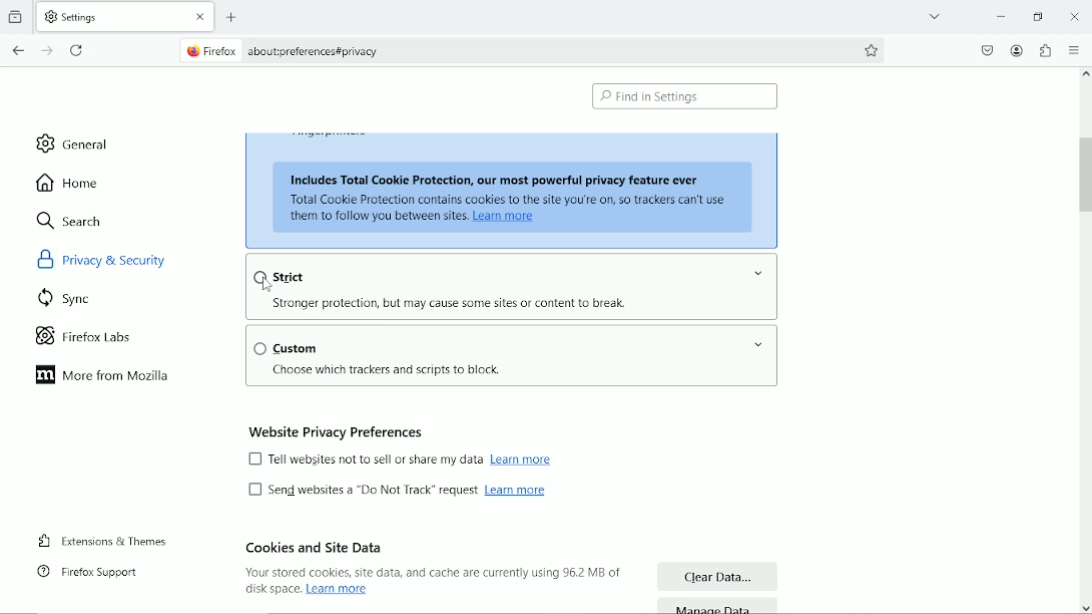 The width and height of the screenshot is (1092, 614). I want to click on sync, so click(66, 300).